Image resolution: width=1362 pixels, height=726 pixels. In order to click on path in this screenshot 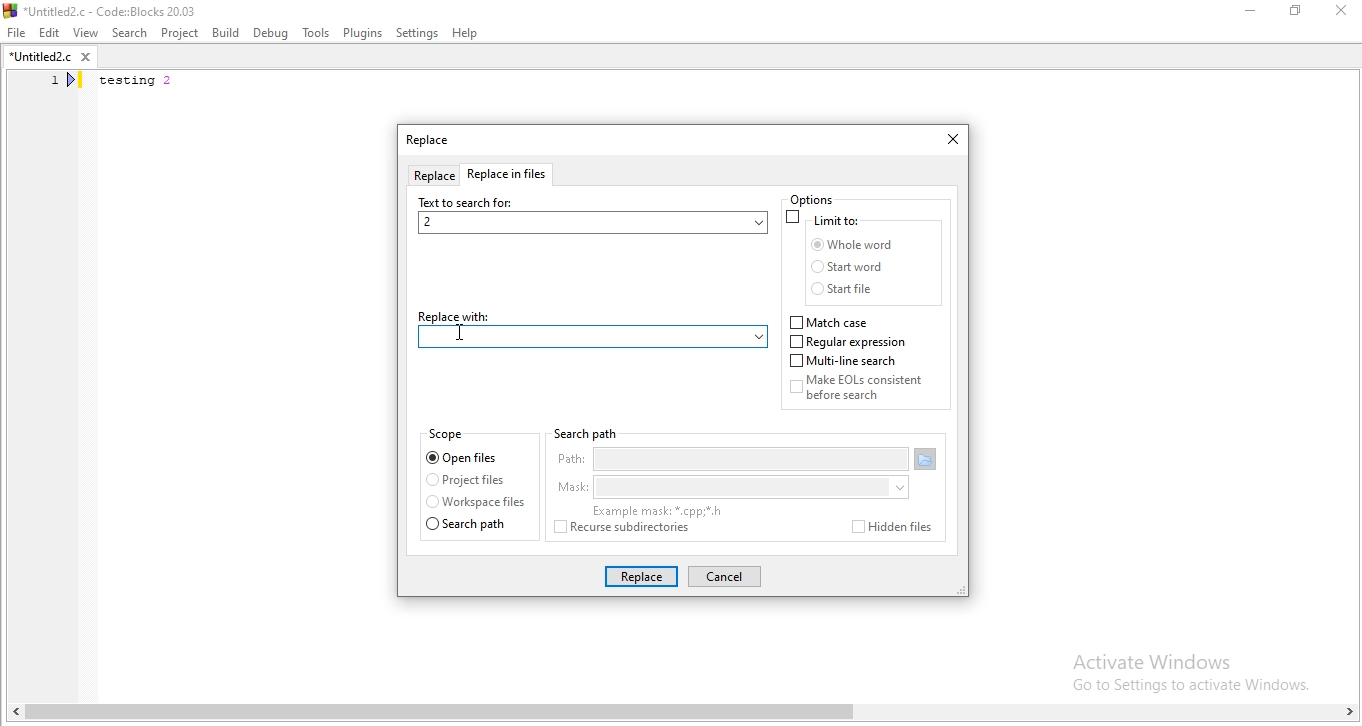, I will do `click(730, 461)`.